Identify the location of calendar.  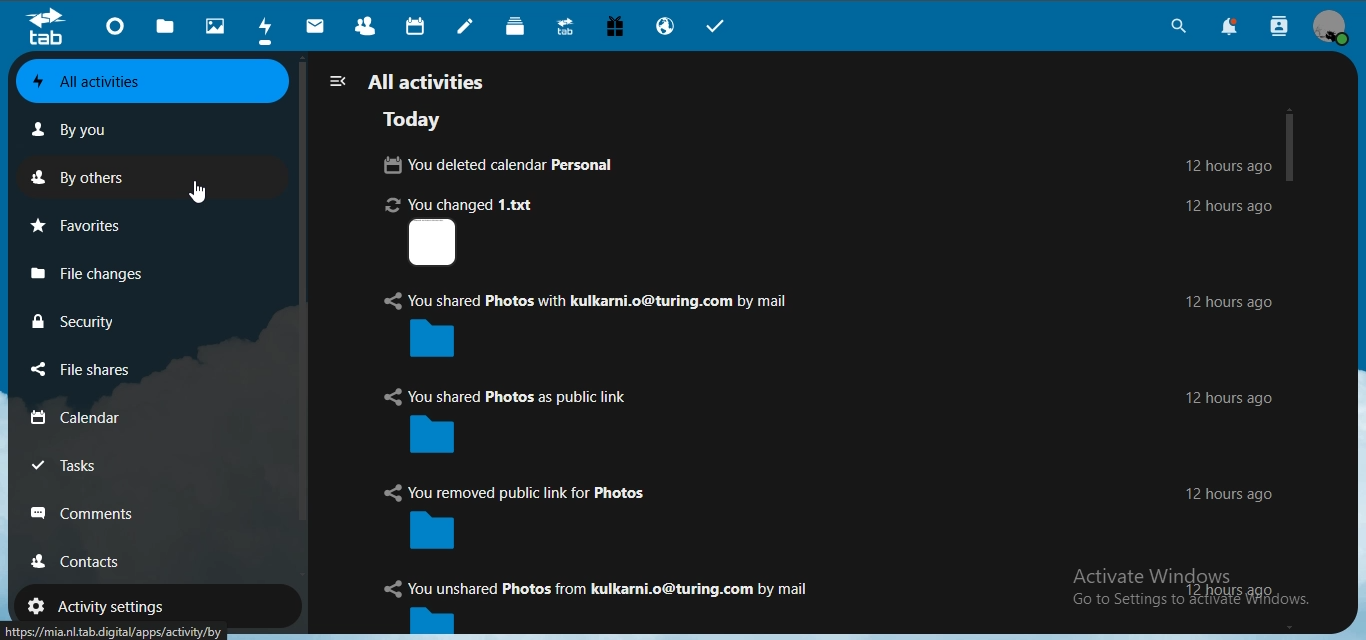
(417, 25).